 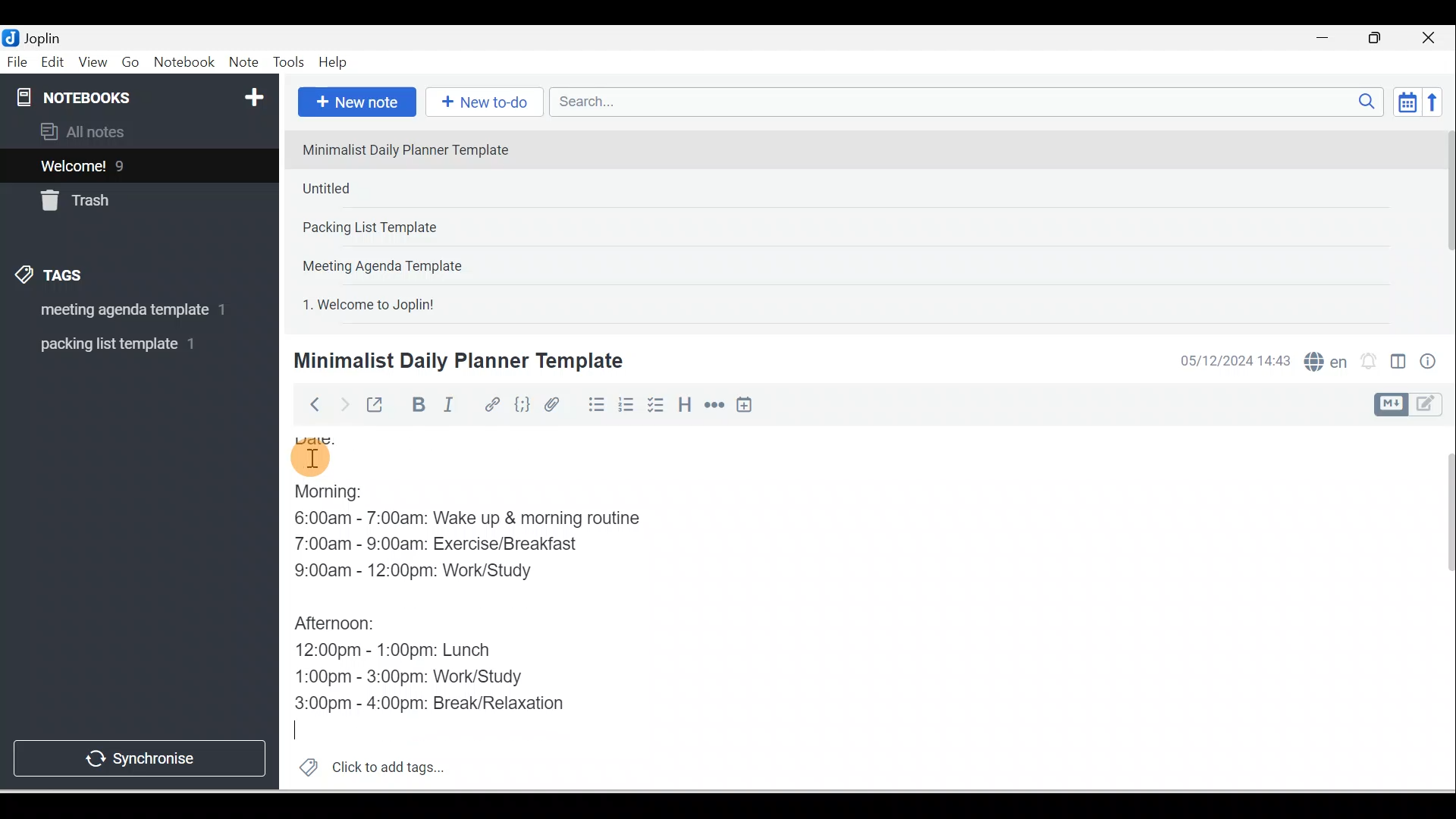 What do you see at coordinates (1367, 362) in the screenshot?
I see `Set alarm` at bounding box center [1367, 362].